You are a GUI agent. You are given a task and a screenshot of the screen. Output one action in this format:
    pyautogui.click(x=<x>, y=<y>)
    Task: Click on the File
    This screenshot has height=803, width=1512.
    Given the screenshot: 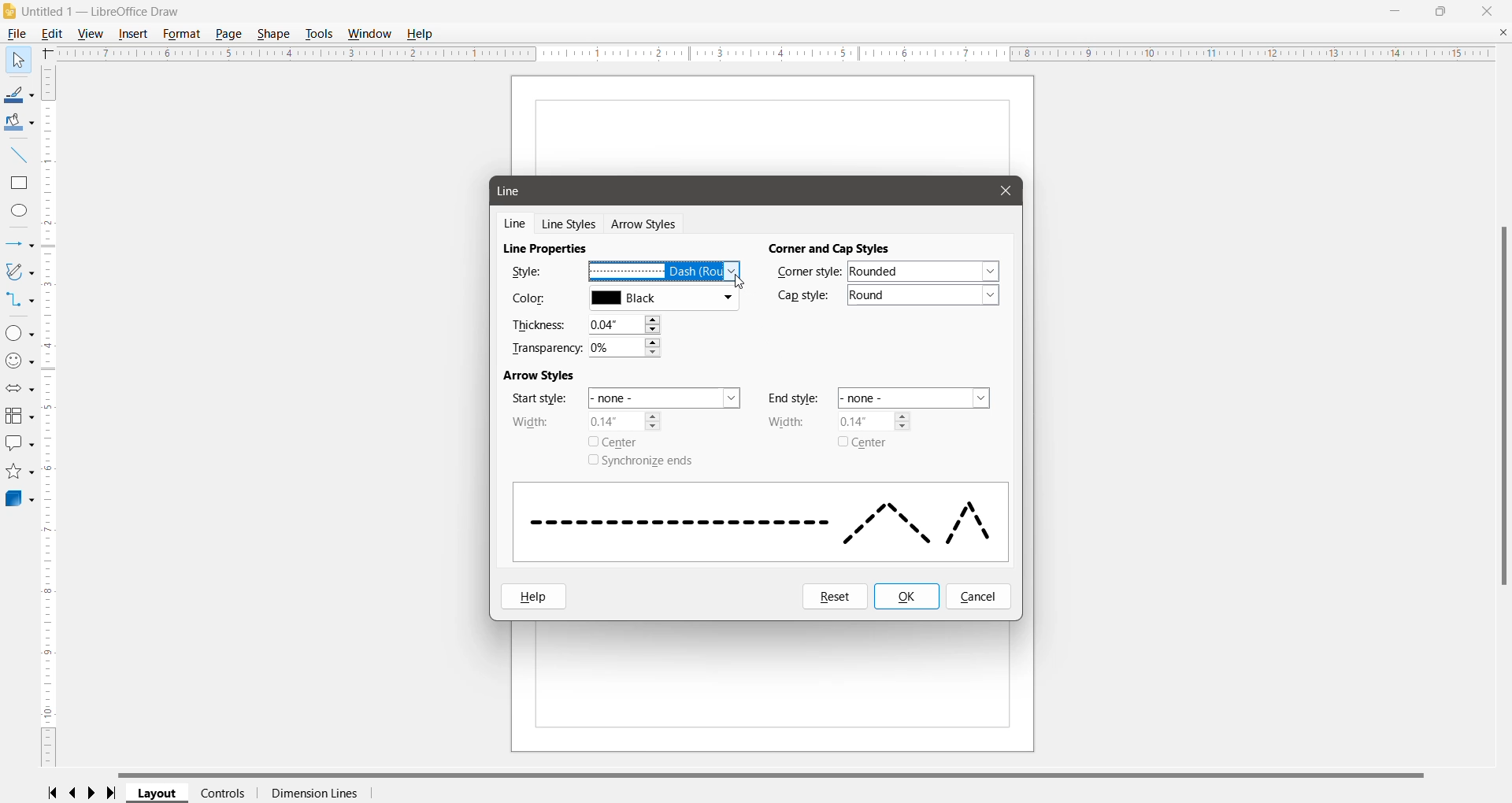 What is the action you would take?
    pyautogui.click(x=16, y=35)
    